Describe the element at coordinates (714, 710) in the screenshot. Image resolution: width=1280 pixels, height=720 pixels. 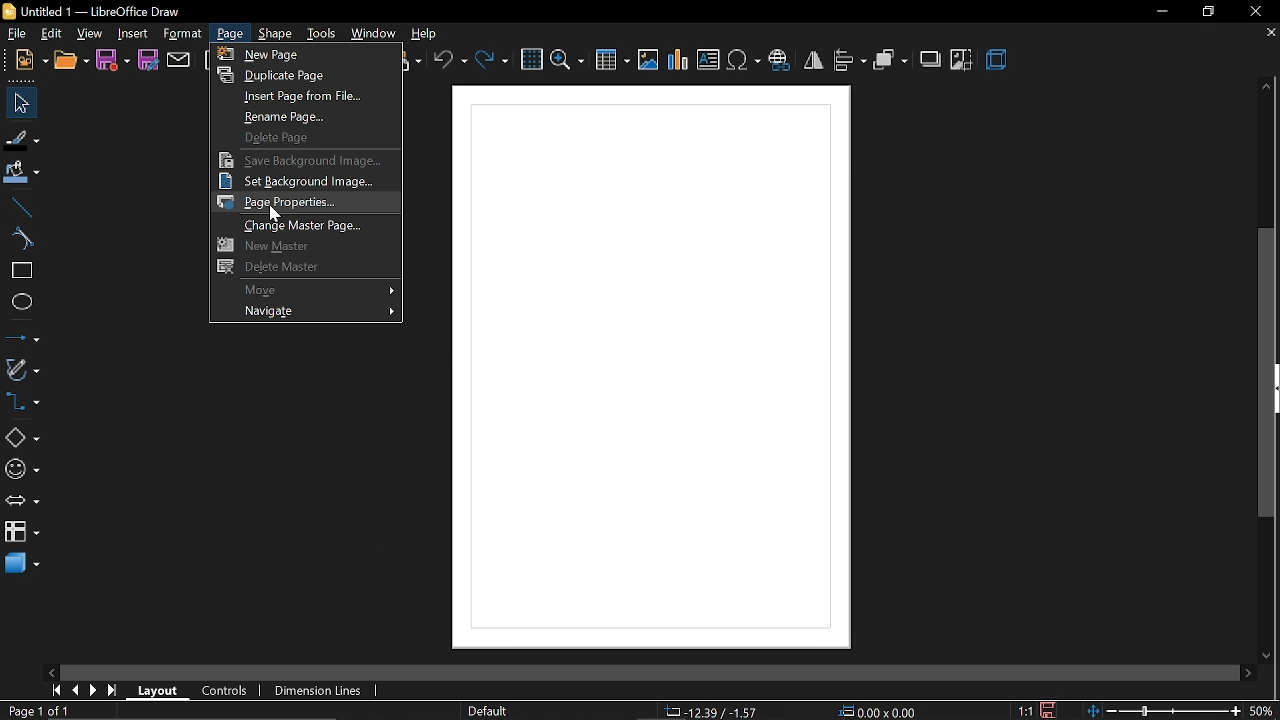
I see `-12.39/-1.57 - co-ordinate` at that location.